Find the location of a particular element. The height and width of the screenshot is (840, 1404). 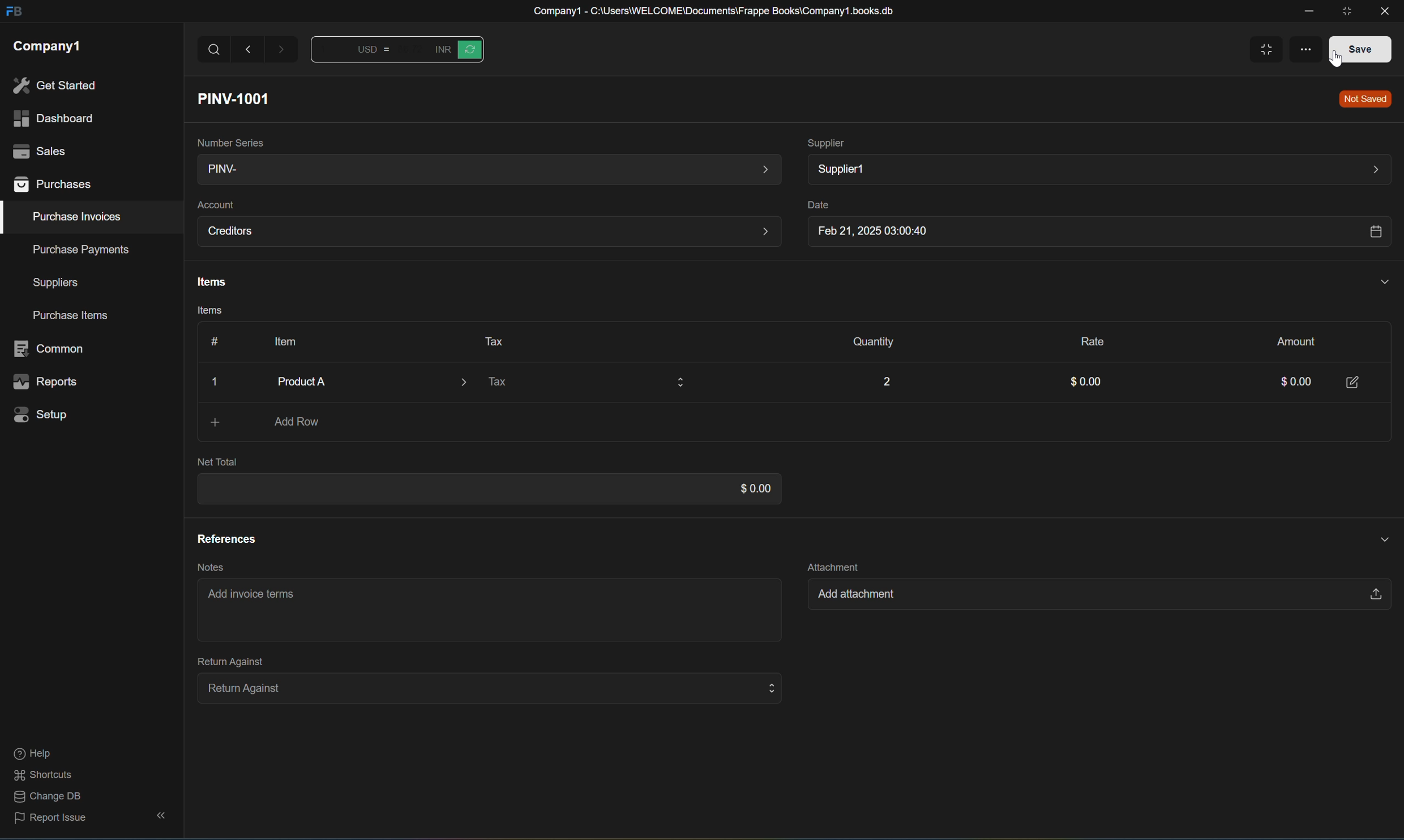

cursor is located at coordinates (1335, 63).